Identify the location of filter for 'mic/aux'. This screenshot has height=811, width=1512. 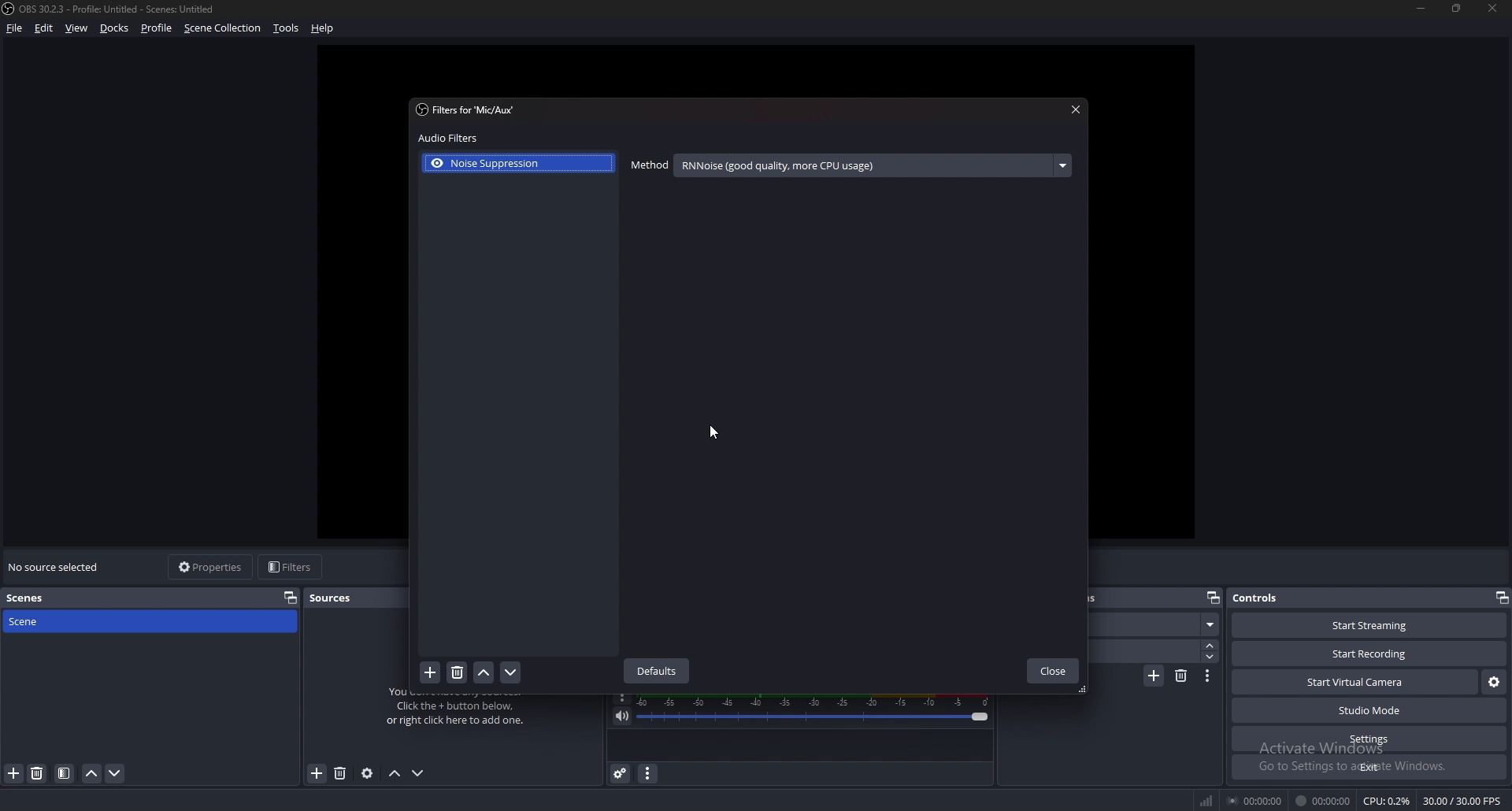
(469, 111).